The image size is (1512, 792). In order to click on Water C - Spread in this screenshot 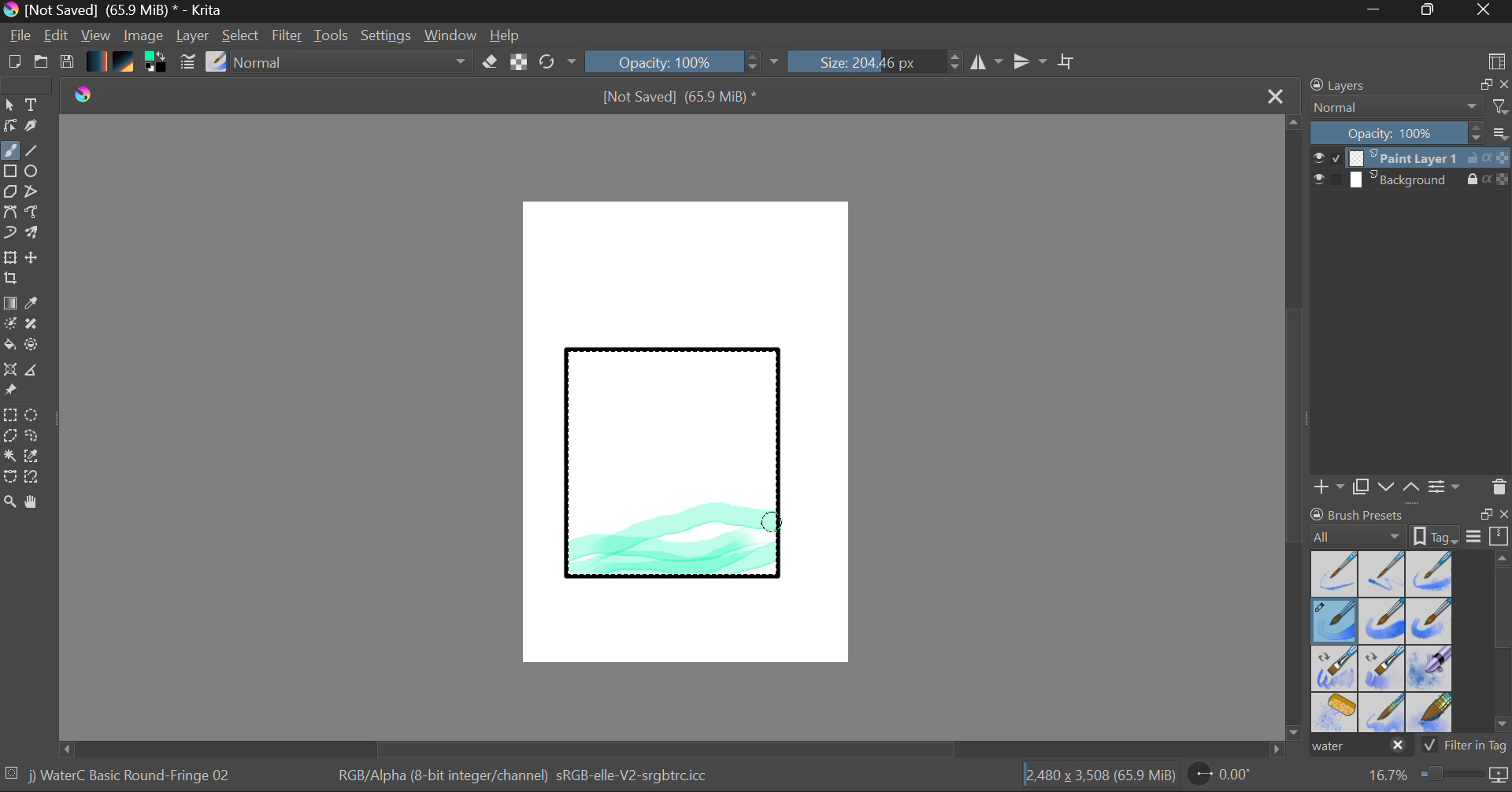, I will do `click(1384, 712)`.